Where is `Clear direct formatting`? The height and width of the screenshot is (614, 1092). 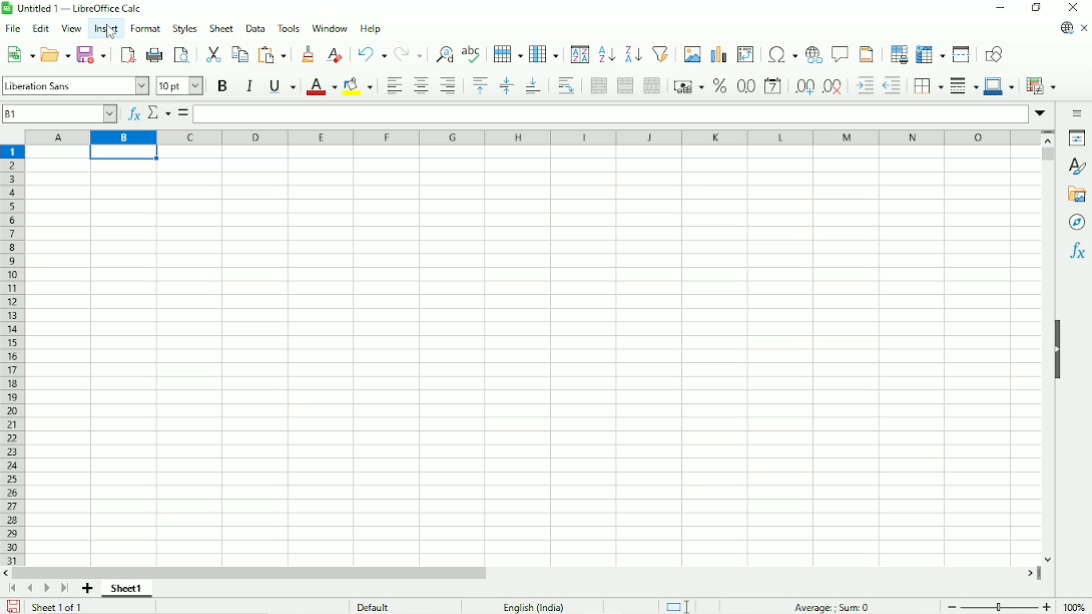
Clear direct formatting is located at coordinates (336, 54).